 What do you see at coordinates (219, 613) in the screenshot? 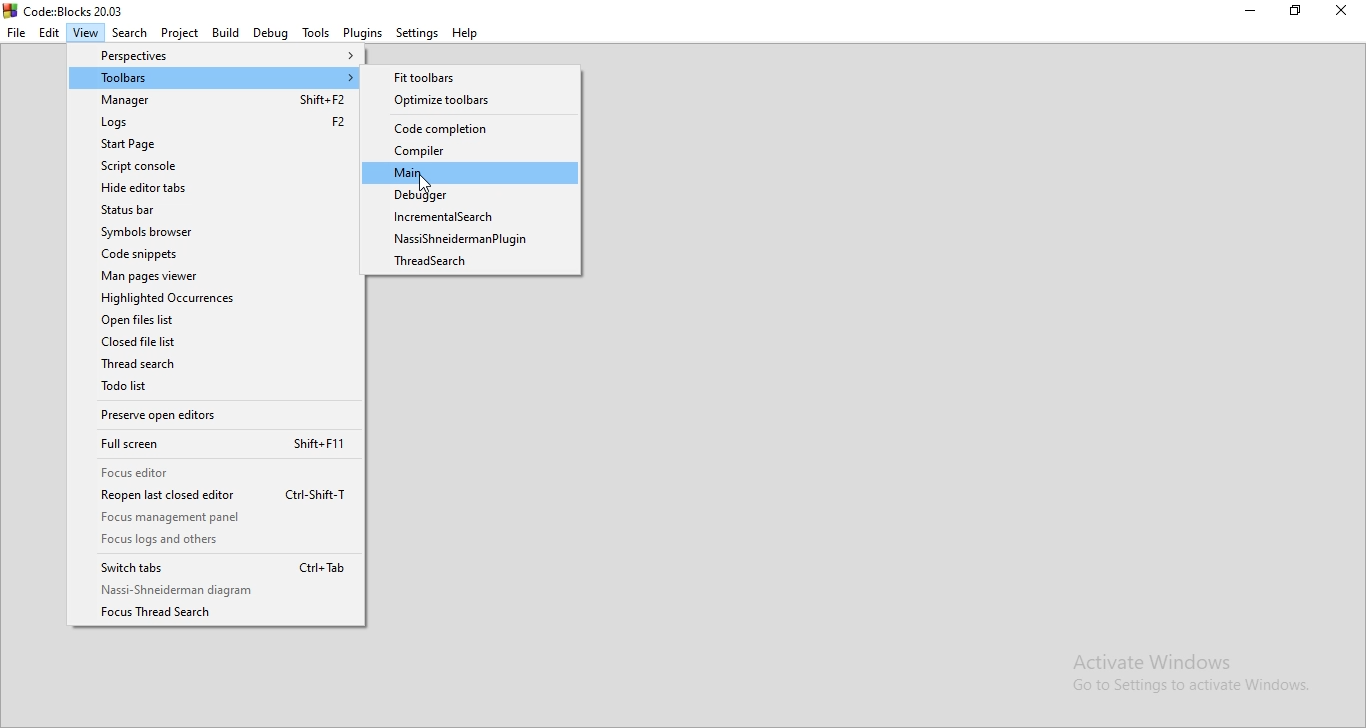
I see `Focus Thread Search` at bounding box center [219, 613].